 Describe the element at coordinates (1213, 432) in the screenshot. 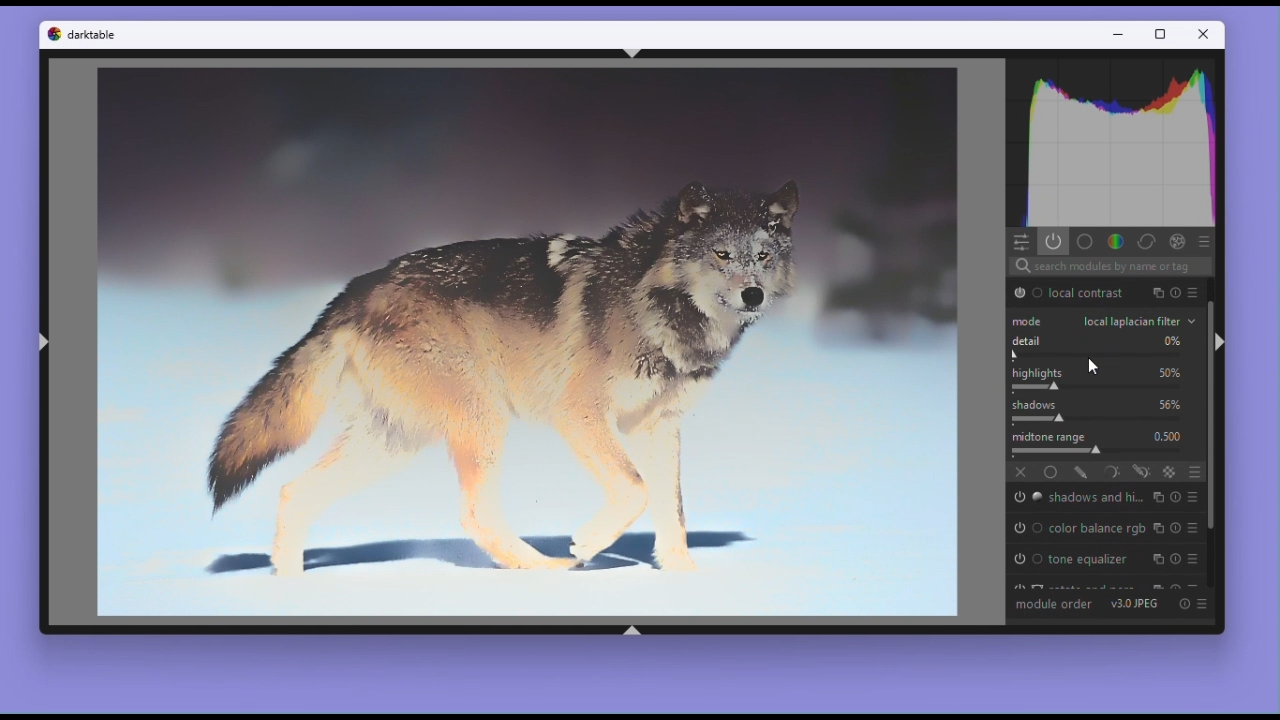

I see `Vertical scrollbar` at that location.